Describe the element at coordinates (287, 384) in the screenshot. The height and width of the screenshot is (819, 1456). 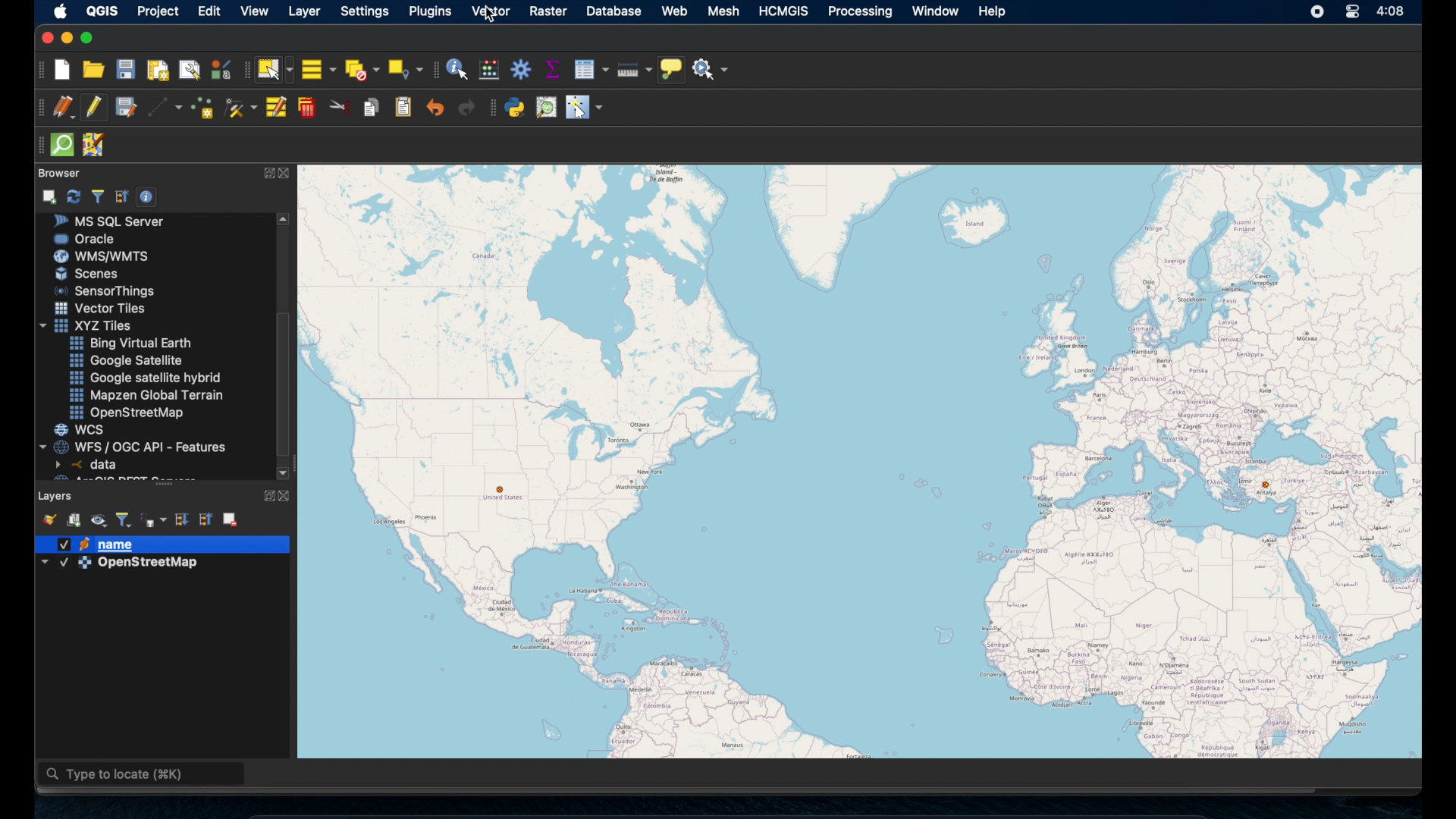
I see `scroll box` at that location.